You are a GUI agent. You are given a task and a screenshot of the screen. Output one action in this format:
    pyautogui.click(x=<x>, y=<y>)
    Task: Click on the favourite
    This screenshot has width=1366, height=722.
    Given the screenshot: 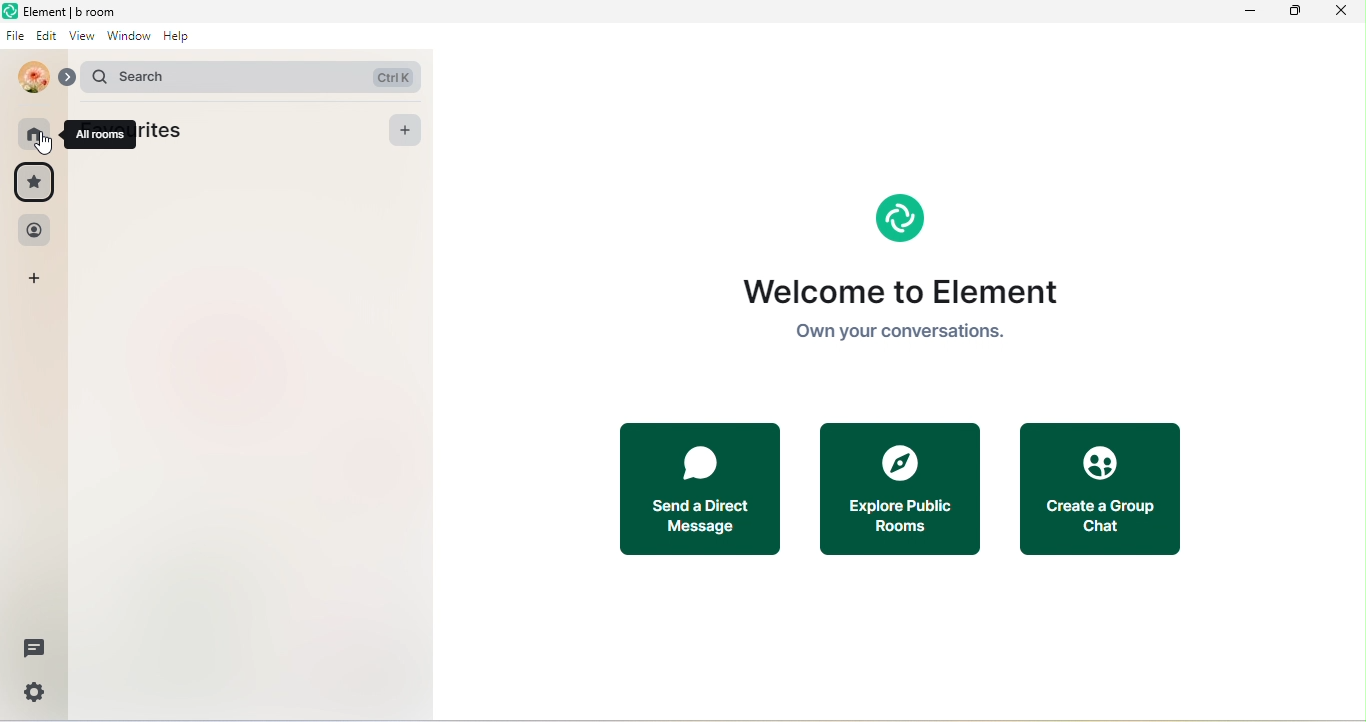 What is the action you would take?
    pyautogui.click(x=35, y=182)
    